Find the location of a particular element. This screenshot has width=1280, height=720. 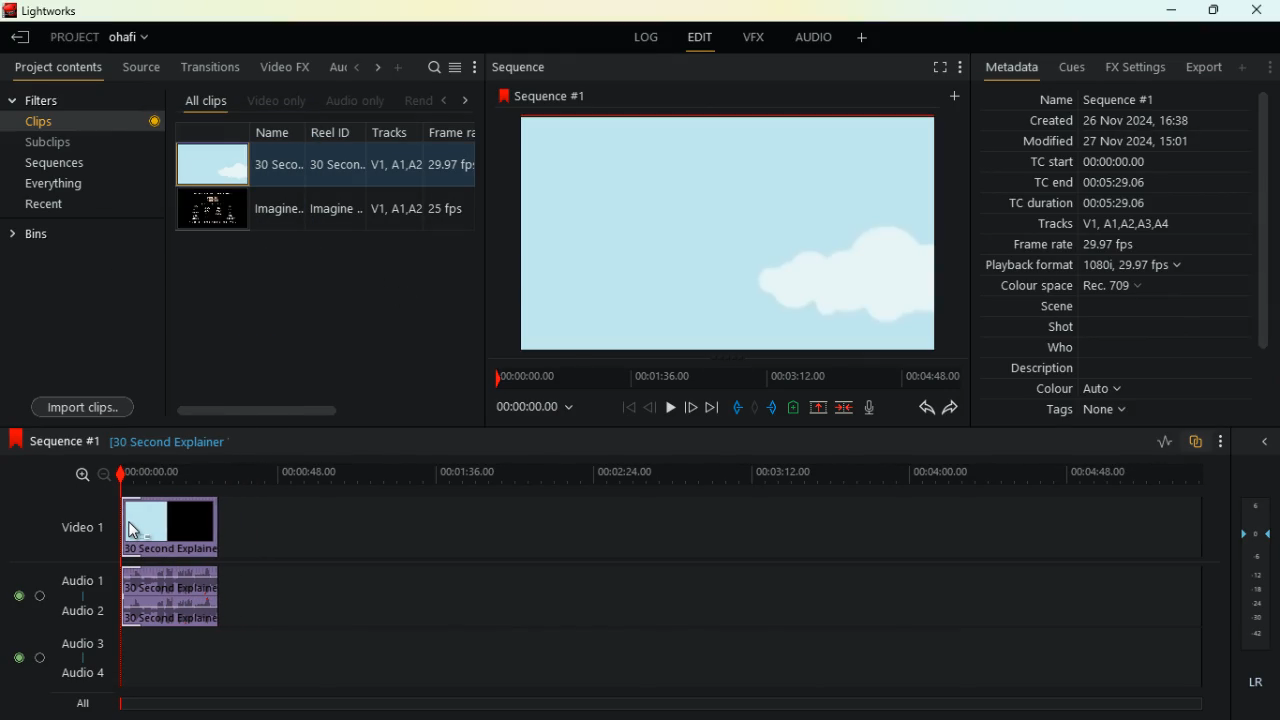

toggle is located at coordinates (40, 658).